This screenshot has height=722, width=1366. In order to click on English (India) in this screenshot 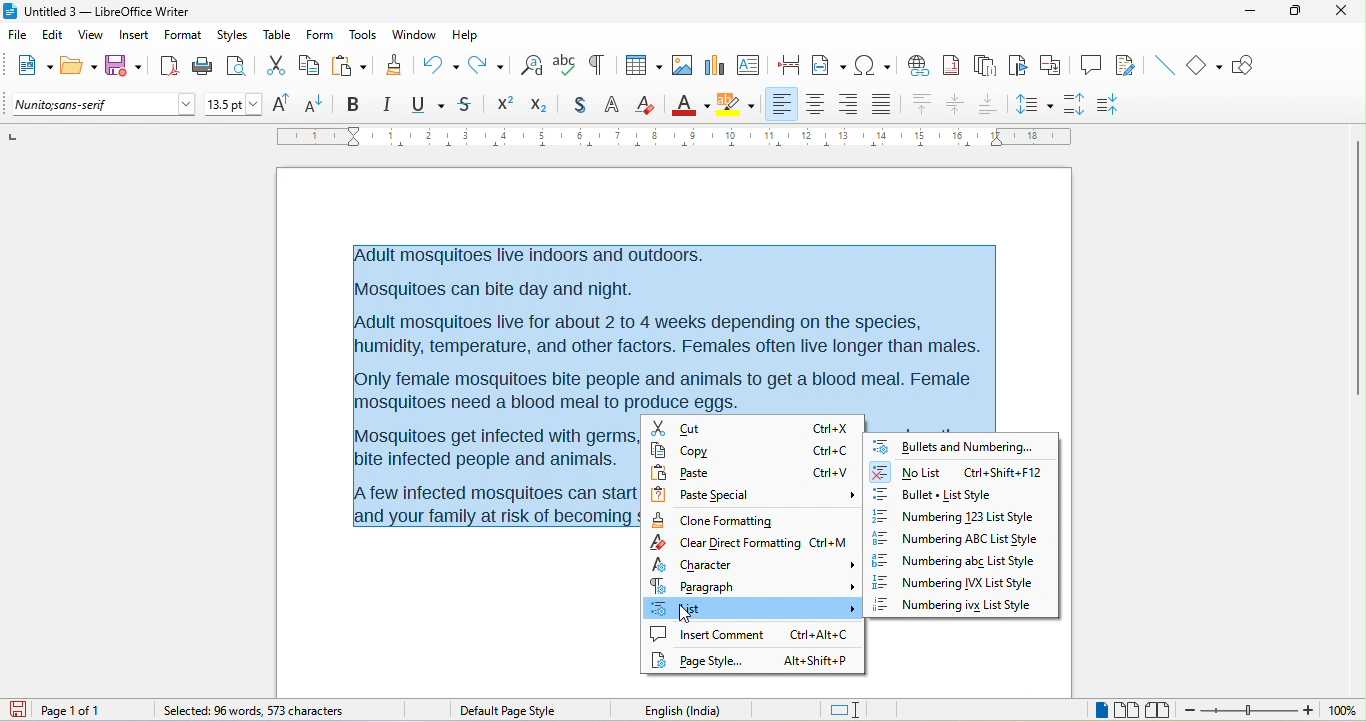, I will do `click(690, 709)`.